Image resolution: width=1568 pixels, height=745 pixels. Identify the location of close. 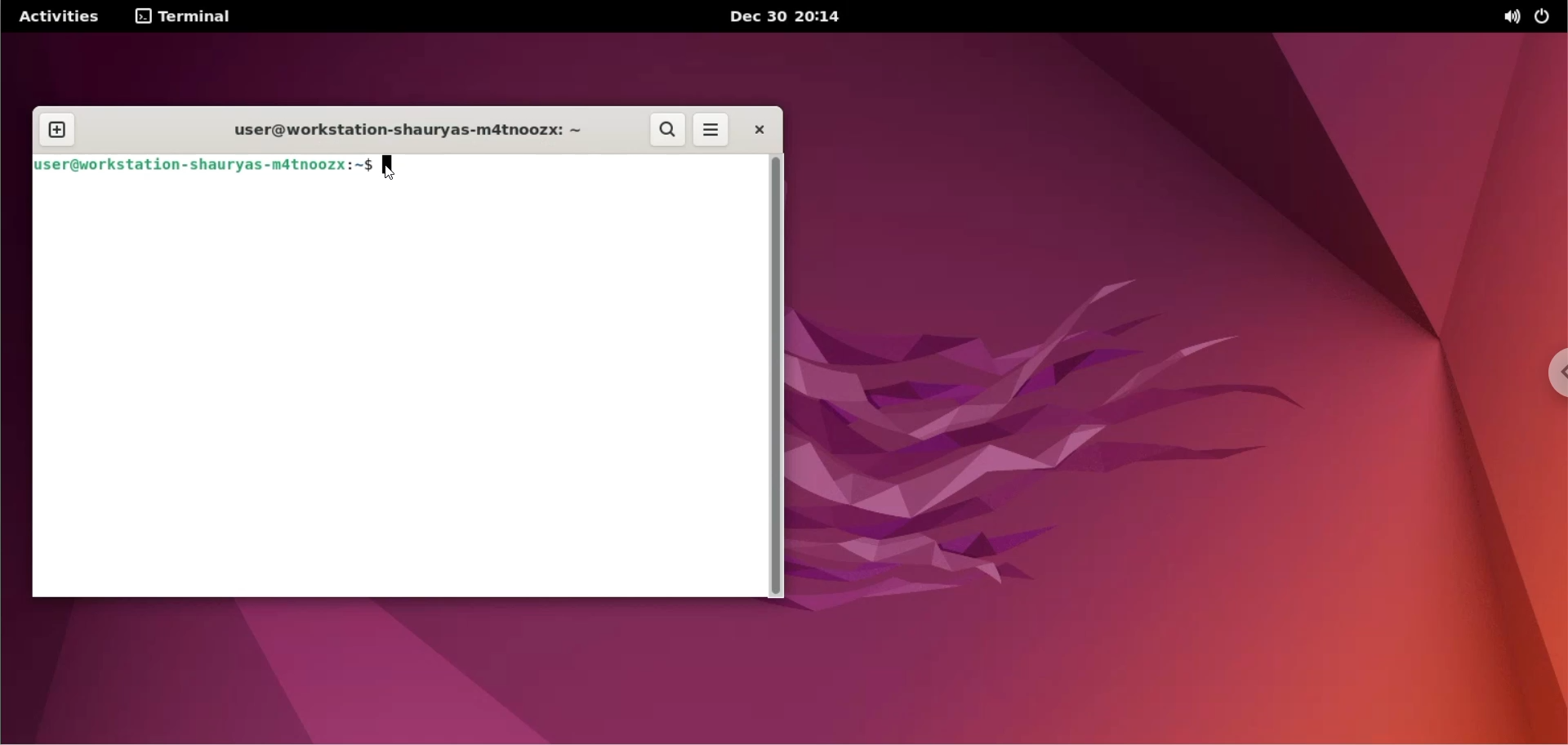
(761, 128).